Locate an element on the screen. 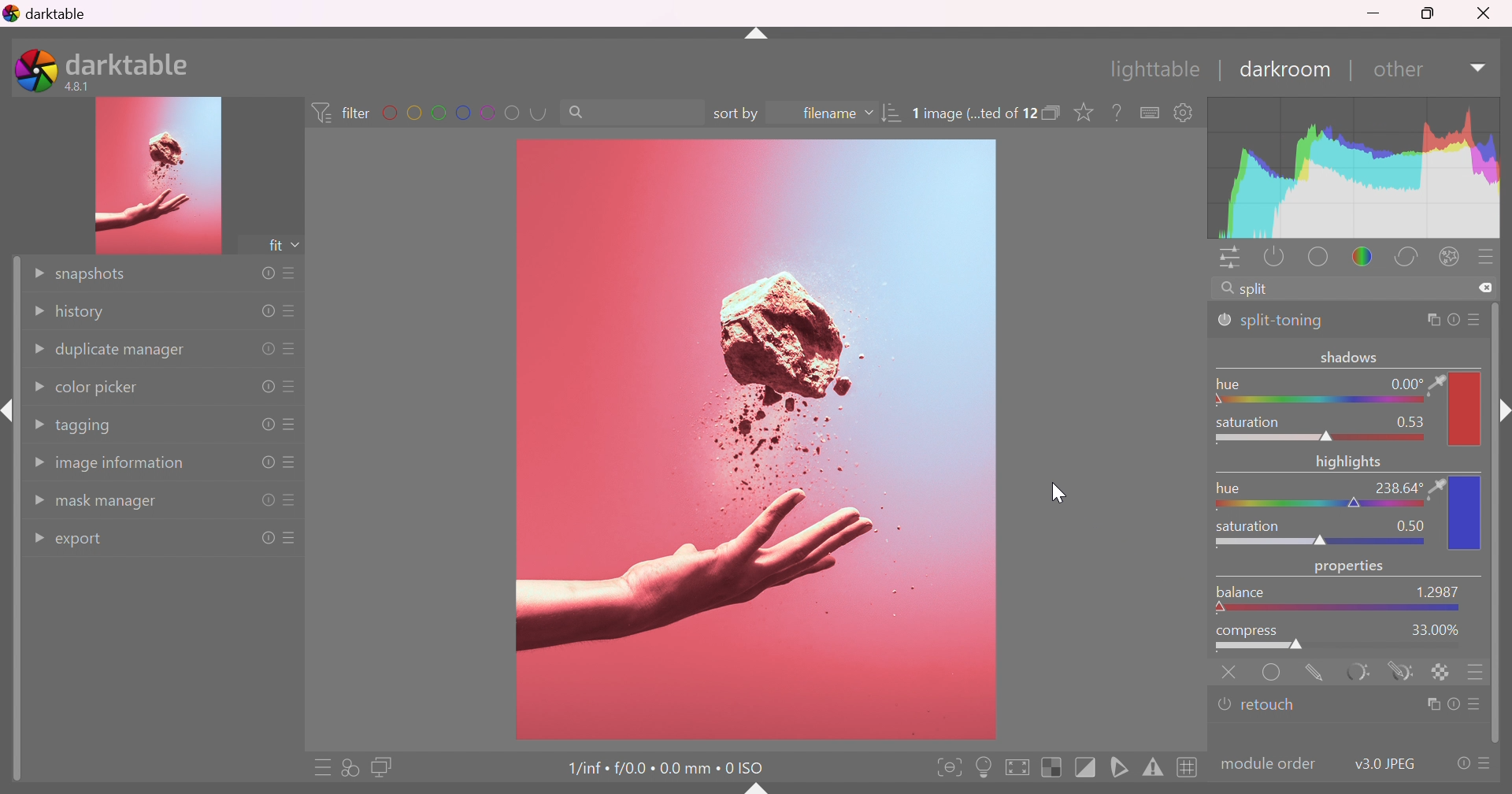 This screenshot has height=794, width=1512. 33.00% is located at coordinates (1435, 630).